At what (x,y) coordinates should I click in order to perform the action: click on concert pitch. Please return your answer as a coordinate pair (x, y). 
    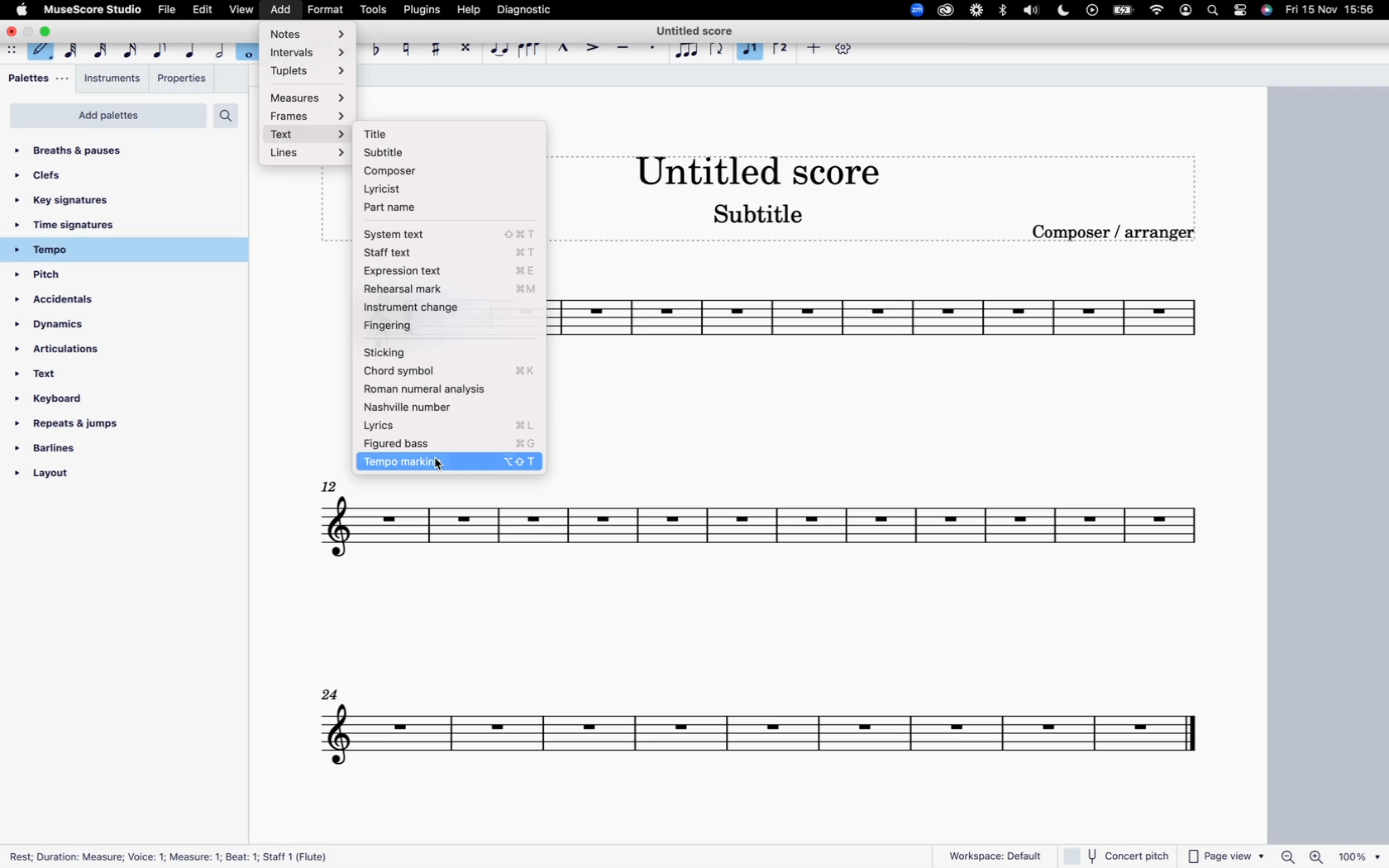
    Looking at the image, I should click on (1120, 853).